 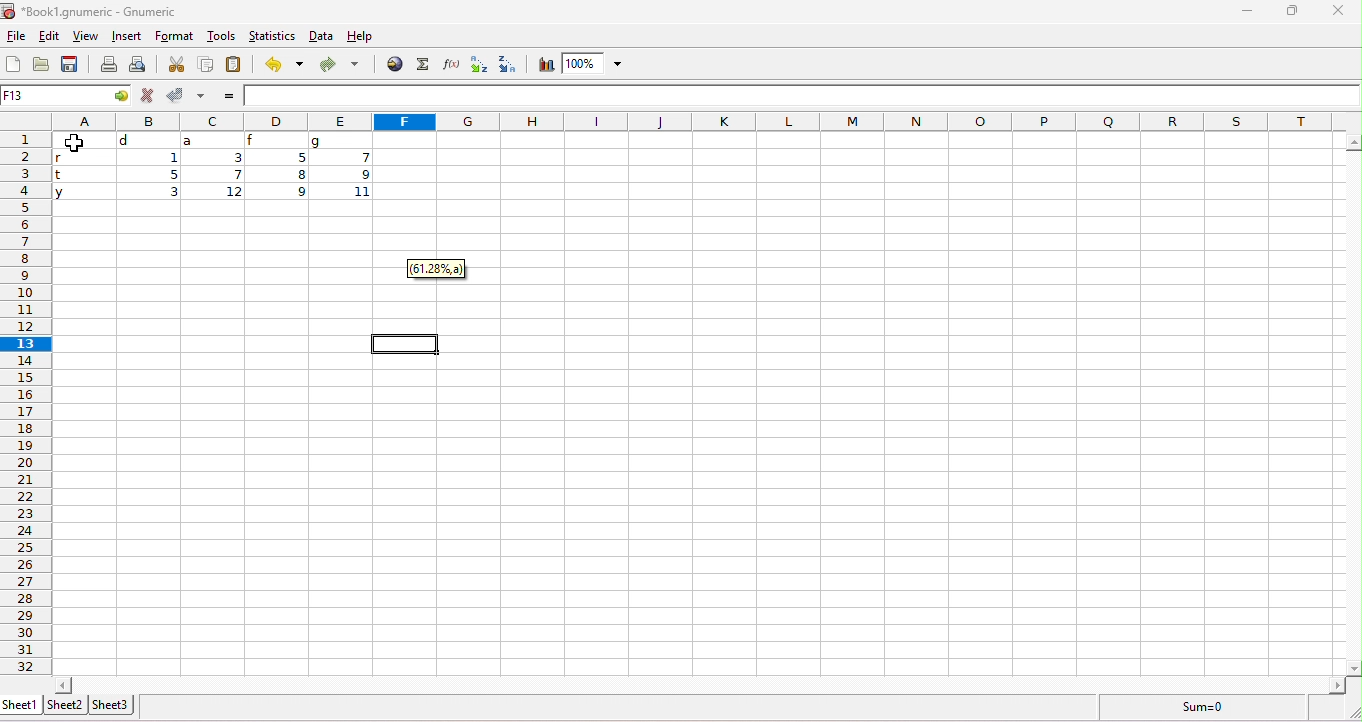 What do you see at coordinates (421, 64) in the screenshot?
I see `select function` at bounding box center [421, 64].